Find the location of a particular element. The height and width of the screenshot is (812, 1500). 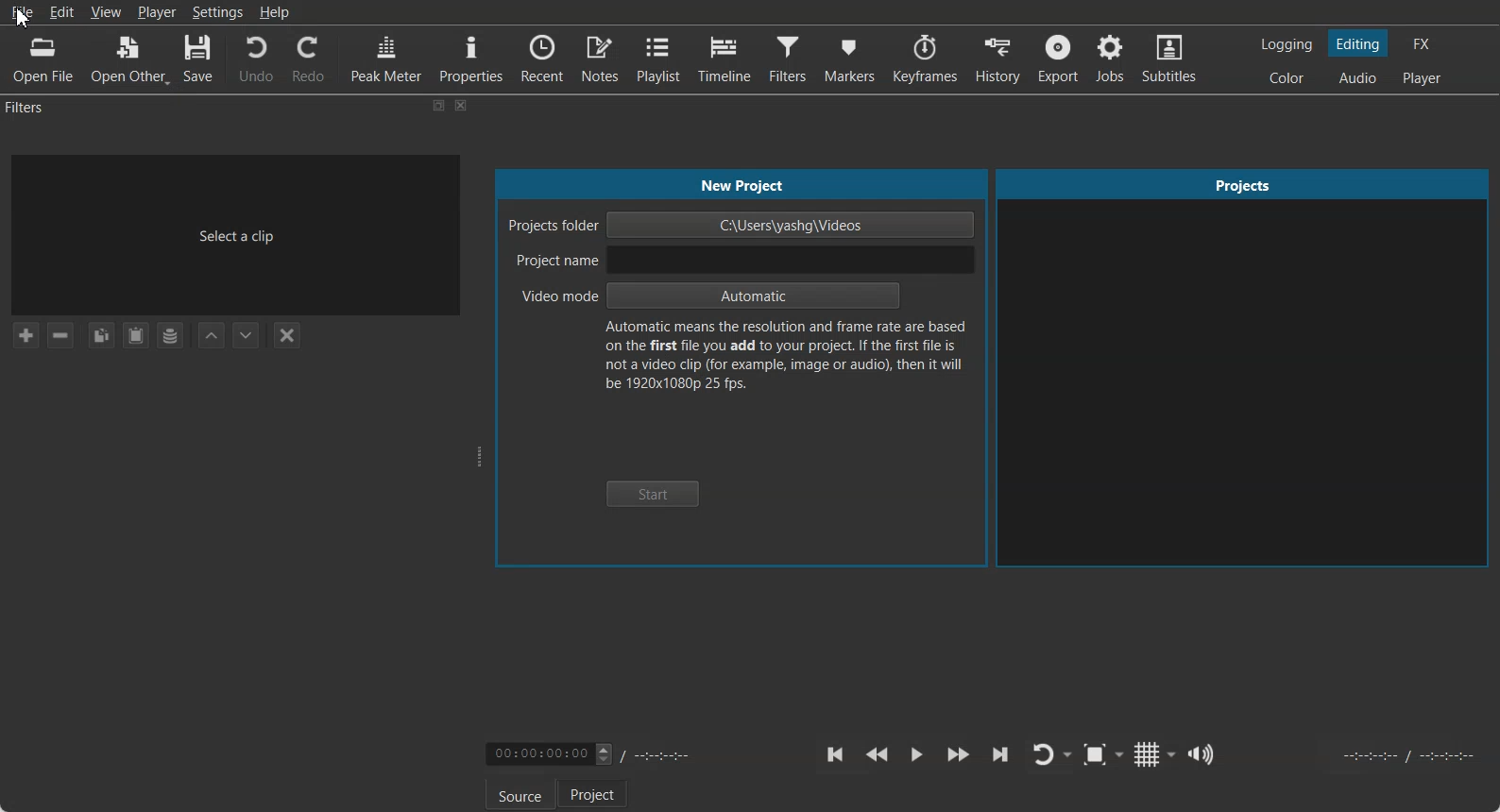

Timing  is located at coordinates (661, 755).